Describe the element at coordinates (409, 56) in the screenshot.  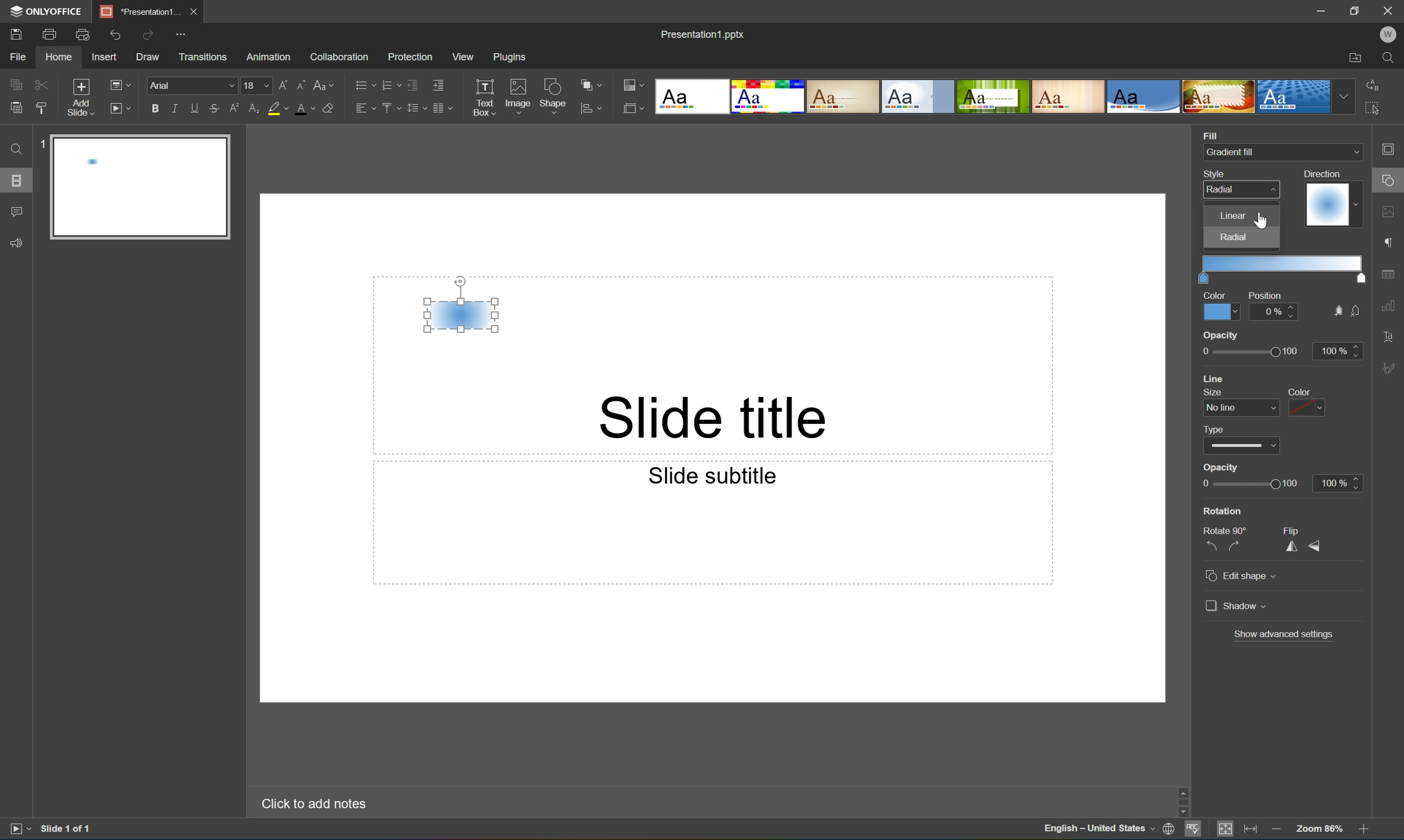
I see `Protection` at that location.